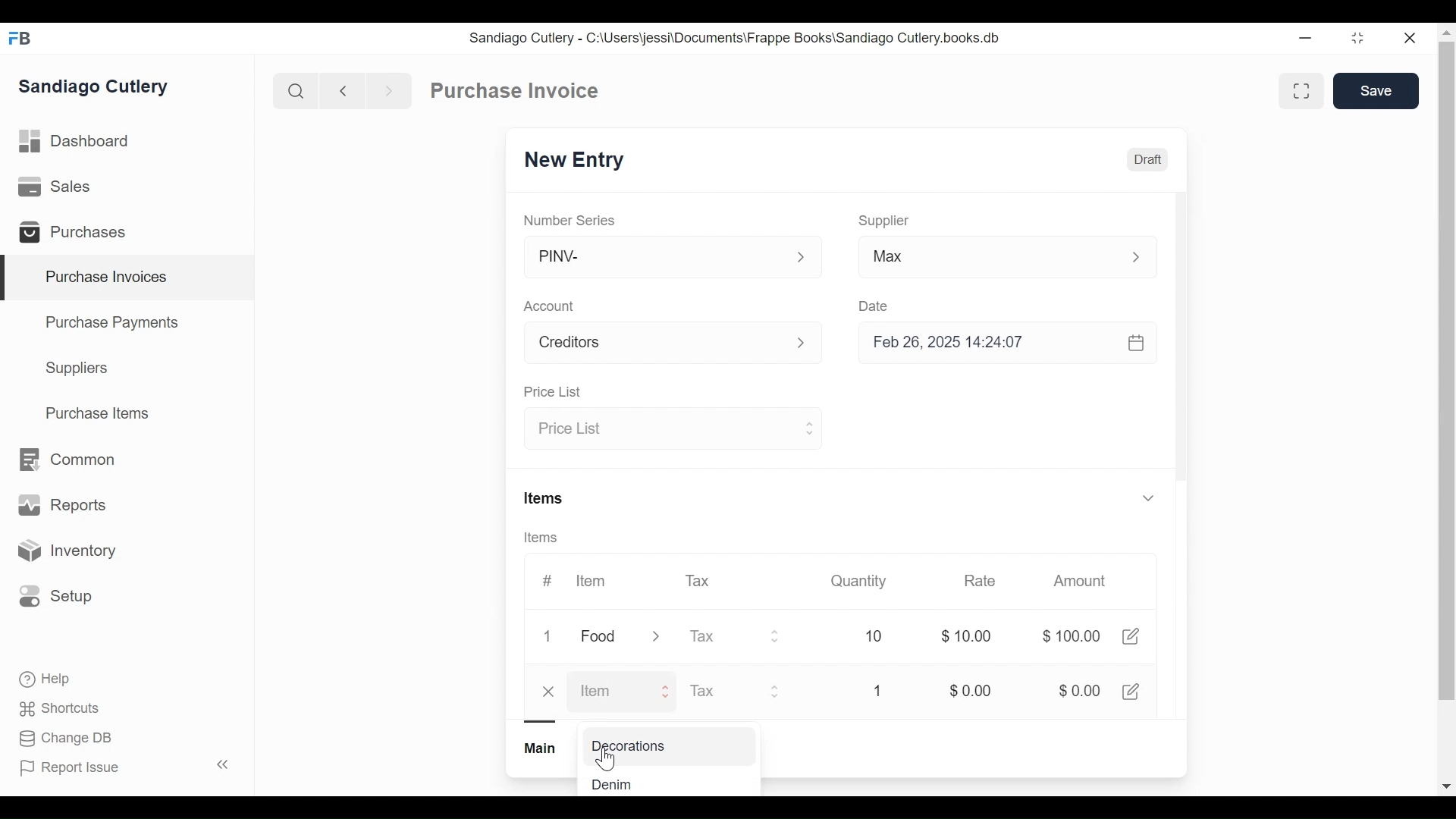 The image size is (1456, 819). What do you see at coordinates (1009, 343) in the screenshot?
I see `Feb 26, 2025 14:24:07` at bounding box center [1009, 343].